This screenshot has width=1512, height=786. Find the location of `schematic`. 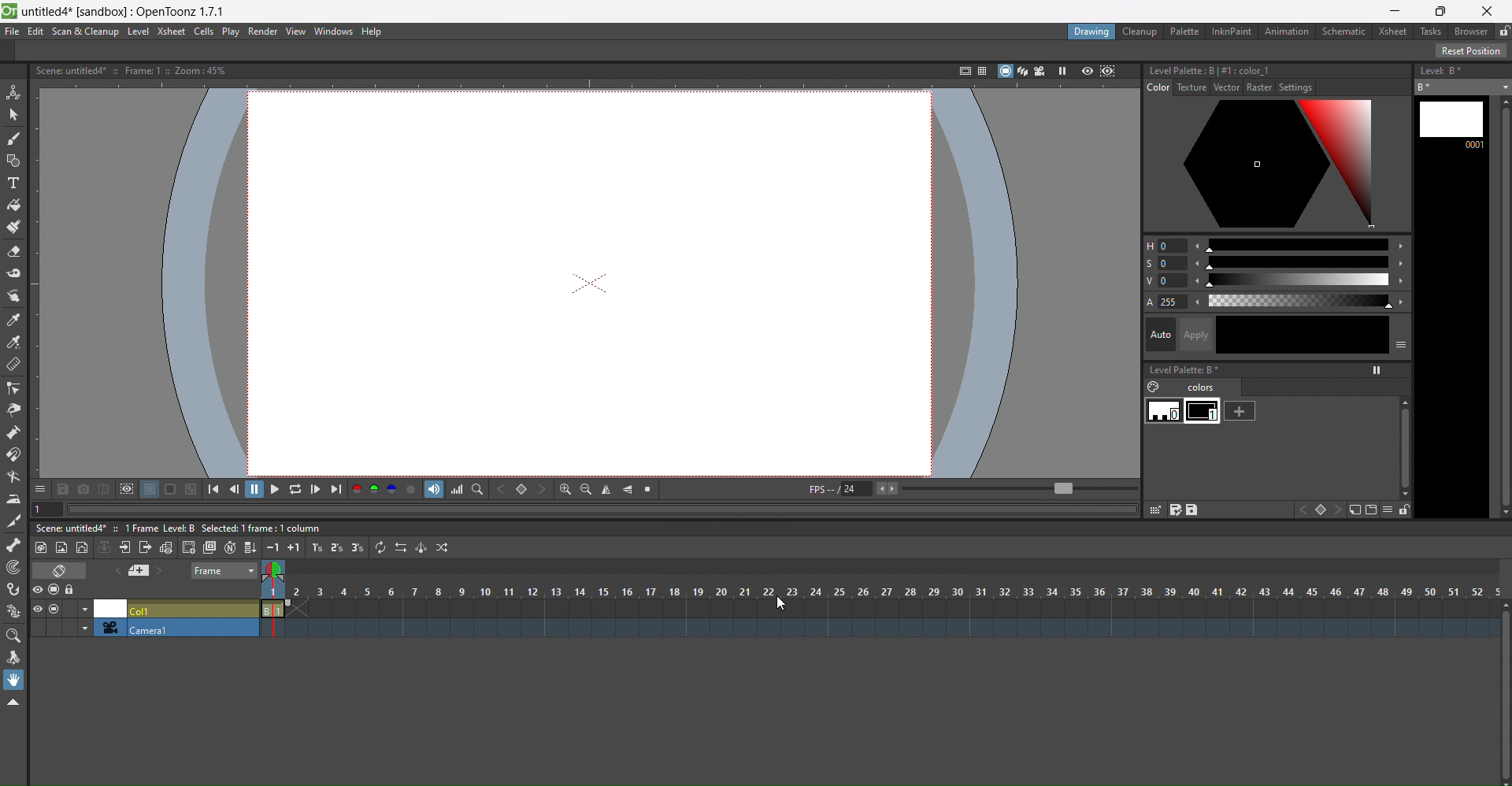

schematic is located at coordinates (1343, 31).